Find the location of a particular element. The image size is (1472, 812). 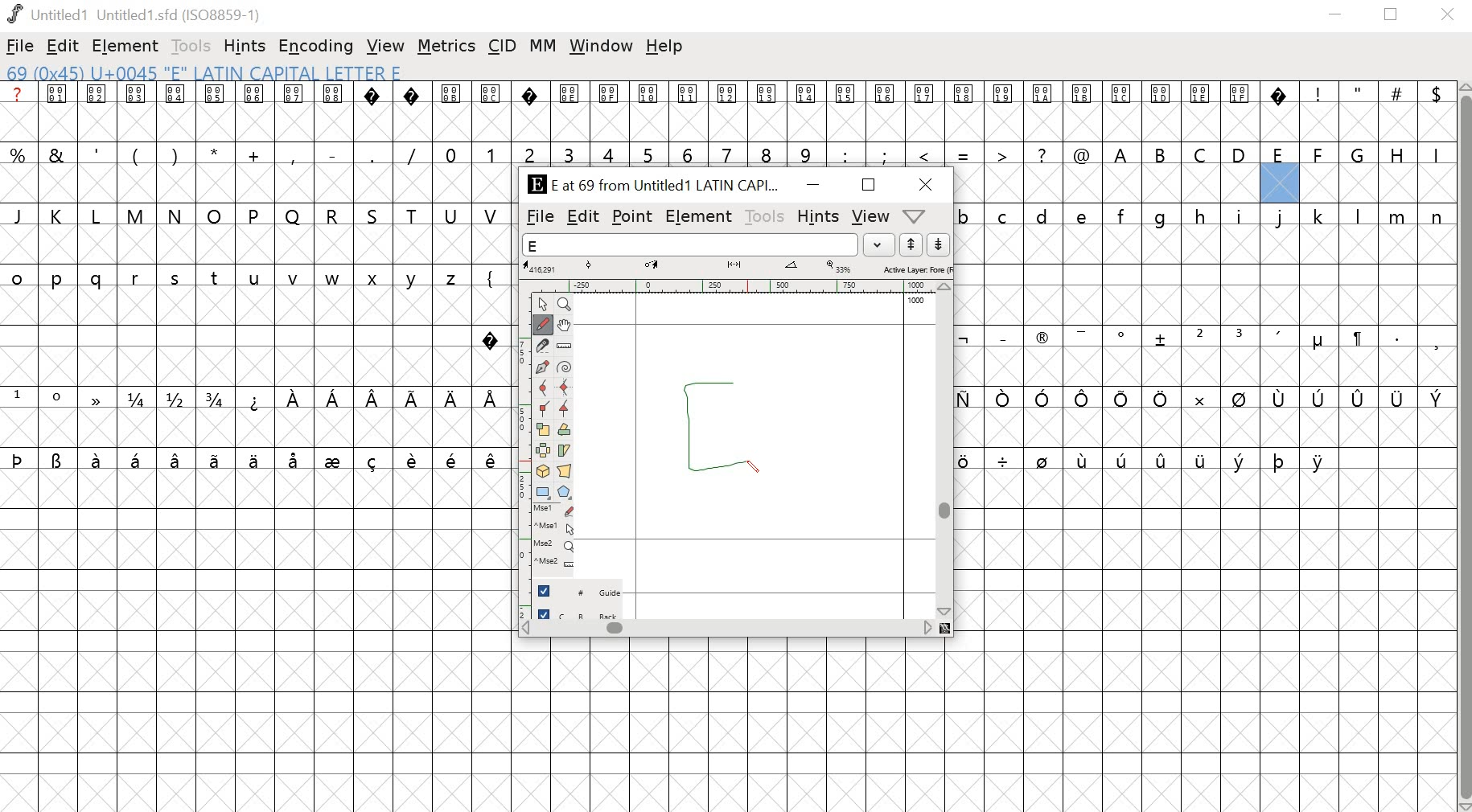

empty cells is located at coordinates (1206, 367).